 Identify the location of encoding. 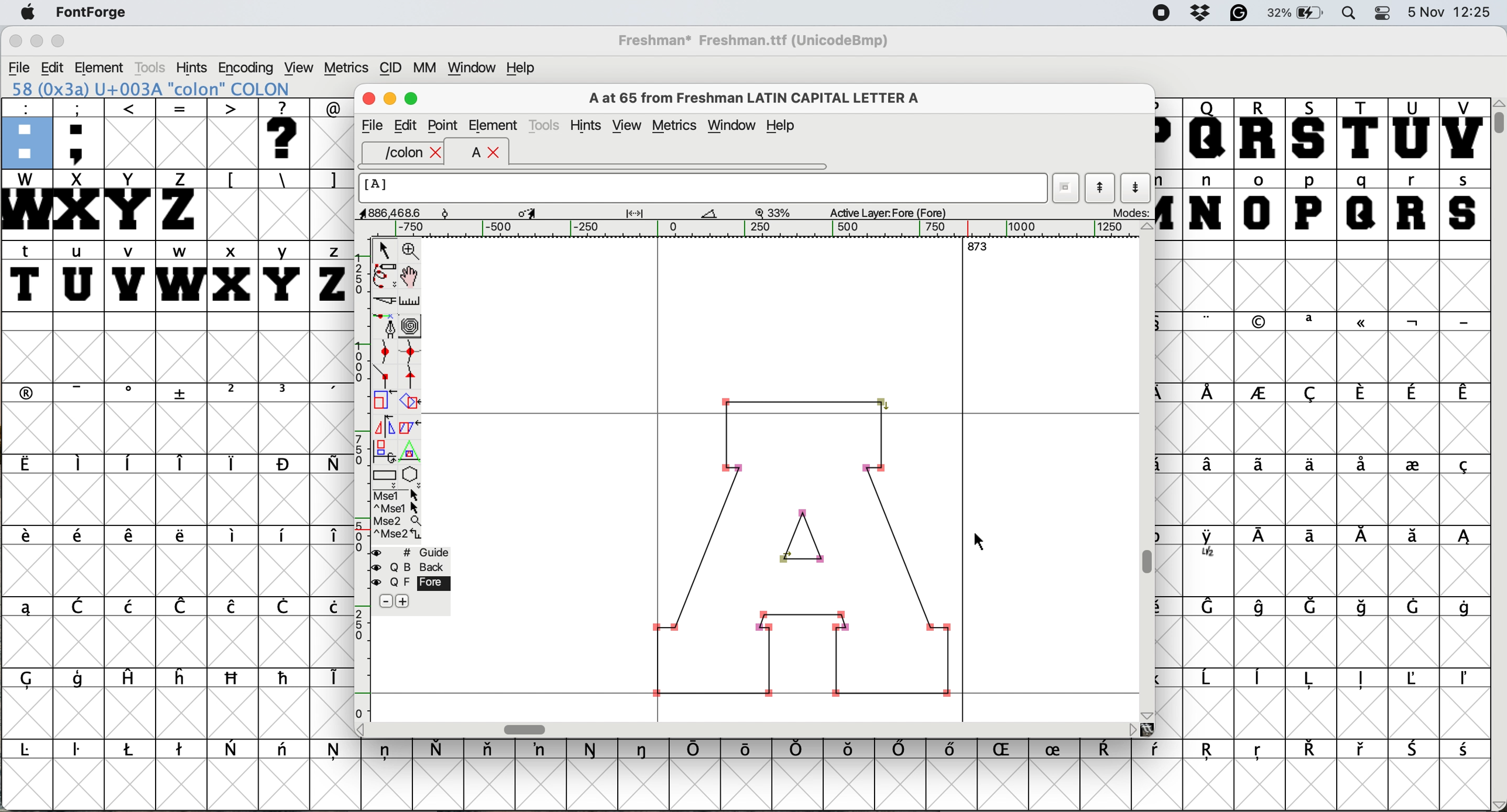
(246, 68).